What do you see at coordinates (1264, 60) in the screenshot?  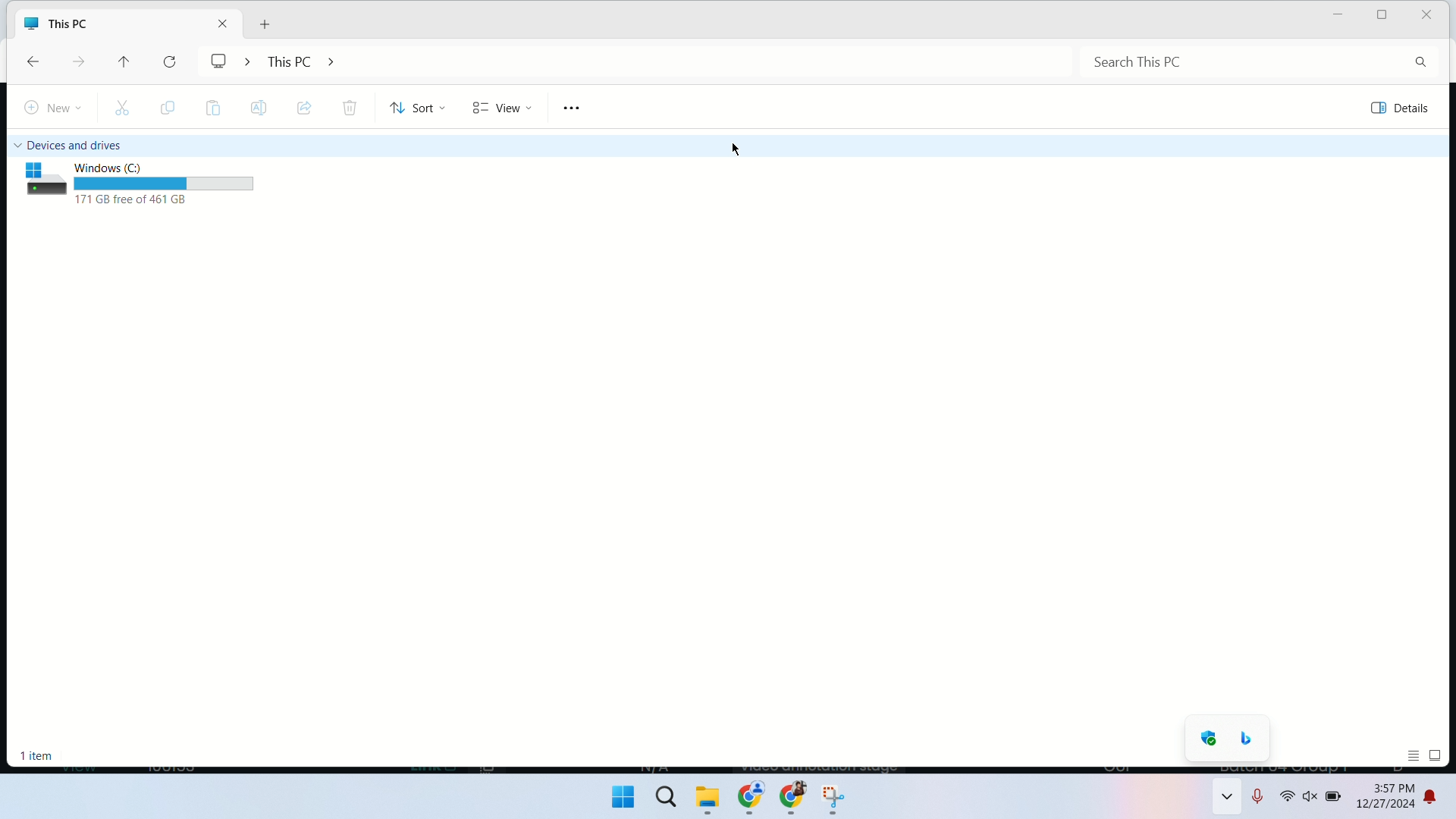 I see `search` at bounding box center [1264, 60].